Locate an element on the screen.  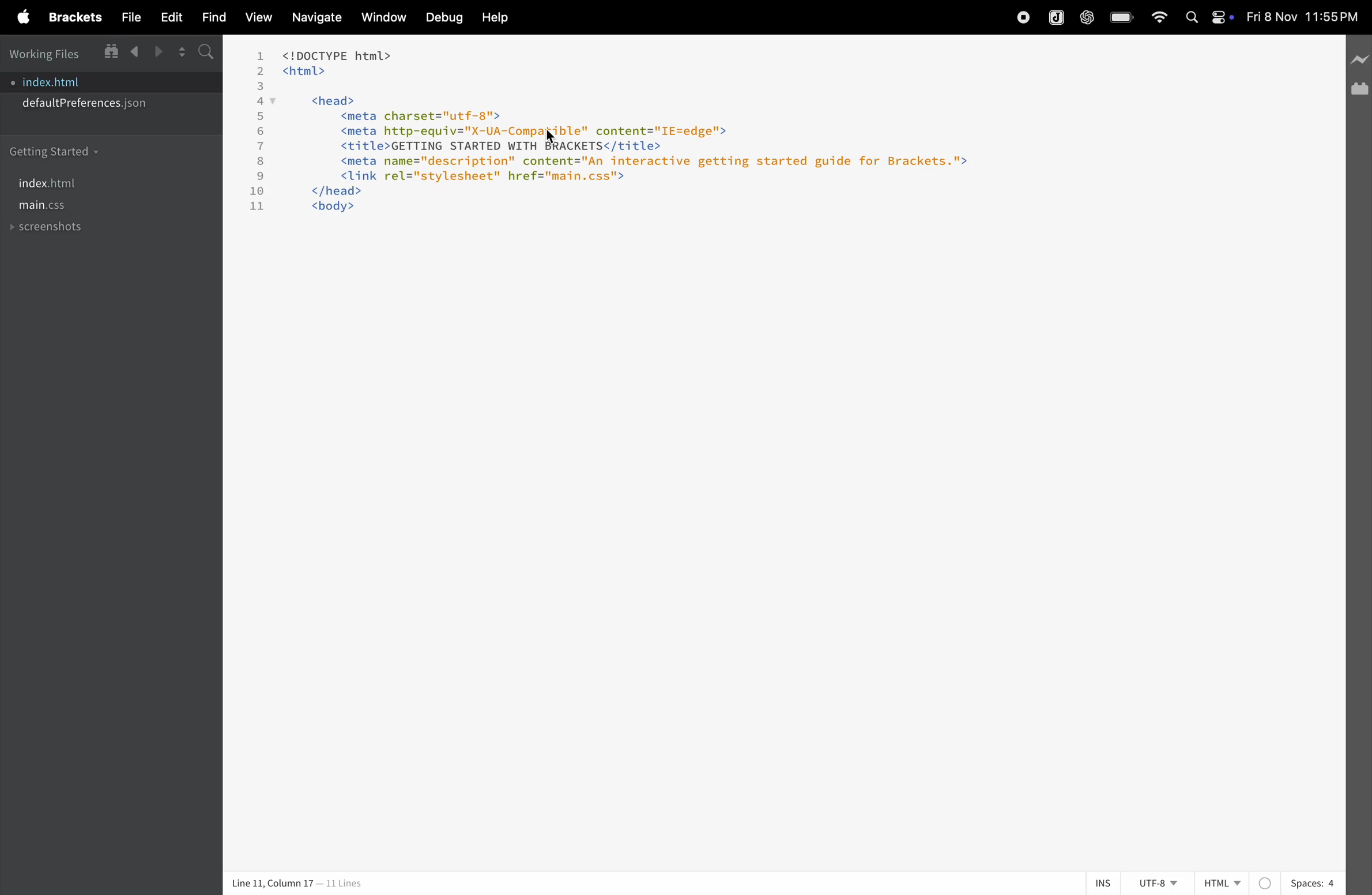
record is located at coordinates (1013, 18).